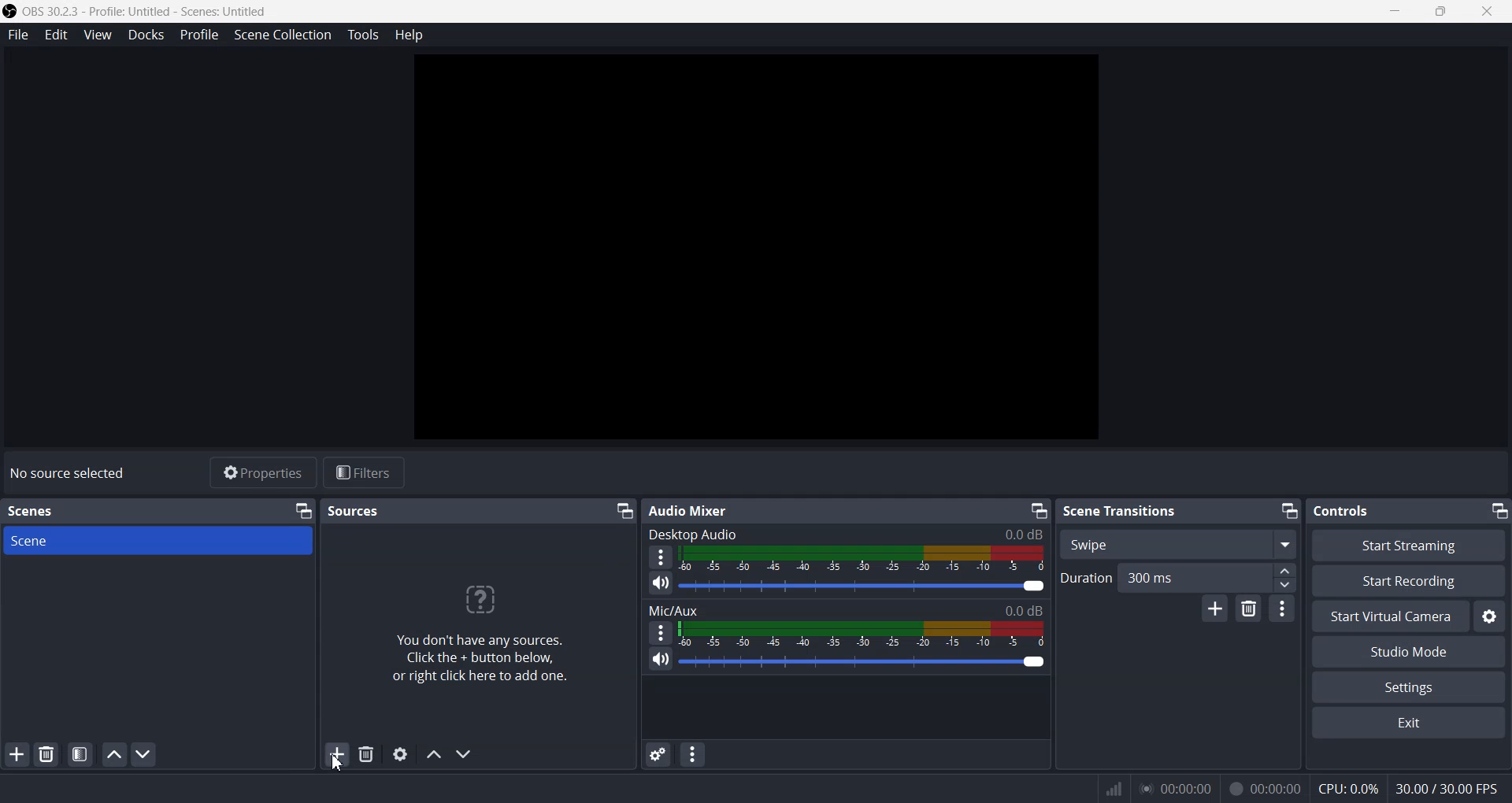 The height and width of the screenshot is (803, 1512). What do you see at coordinates (1247, 609) in the screenshot?
I see `Remove Configurable transition` at bounding box center [1247, 609].